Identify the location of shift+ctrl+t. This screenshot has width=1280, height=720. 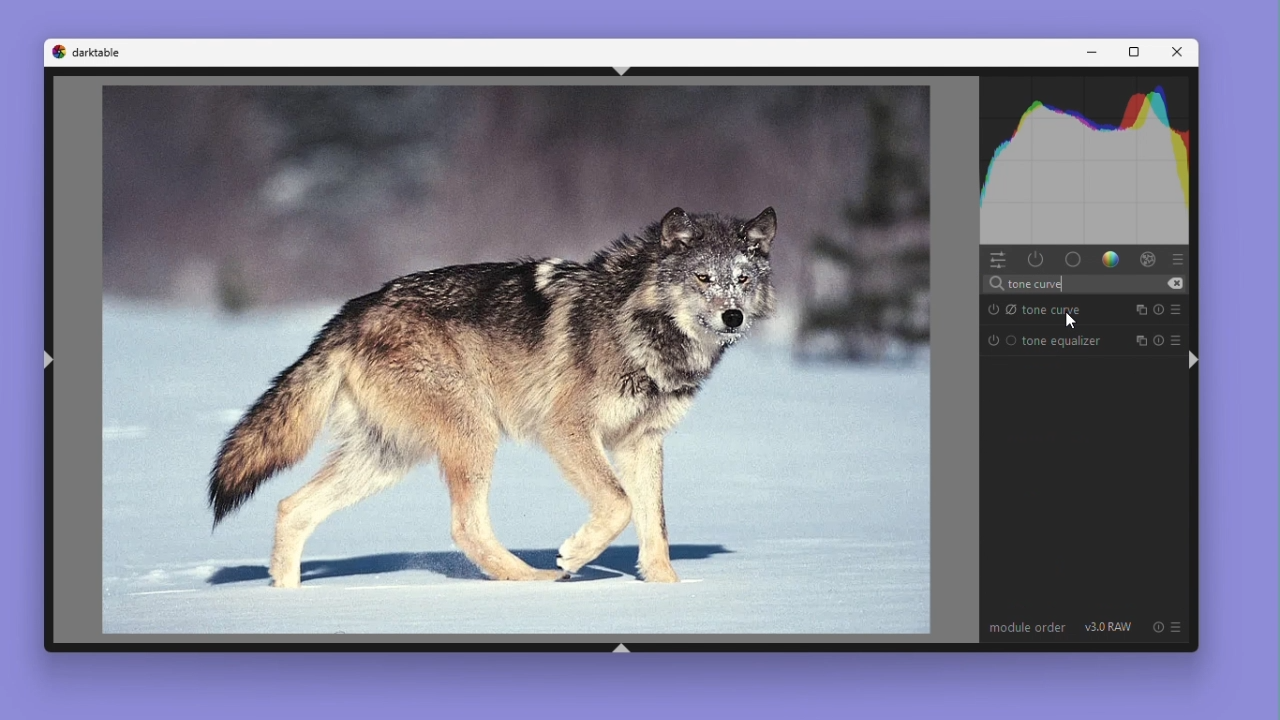
(619, 71).